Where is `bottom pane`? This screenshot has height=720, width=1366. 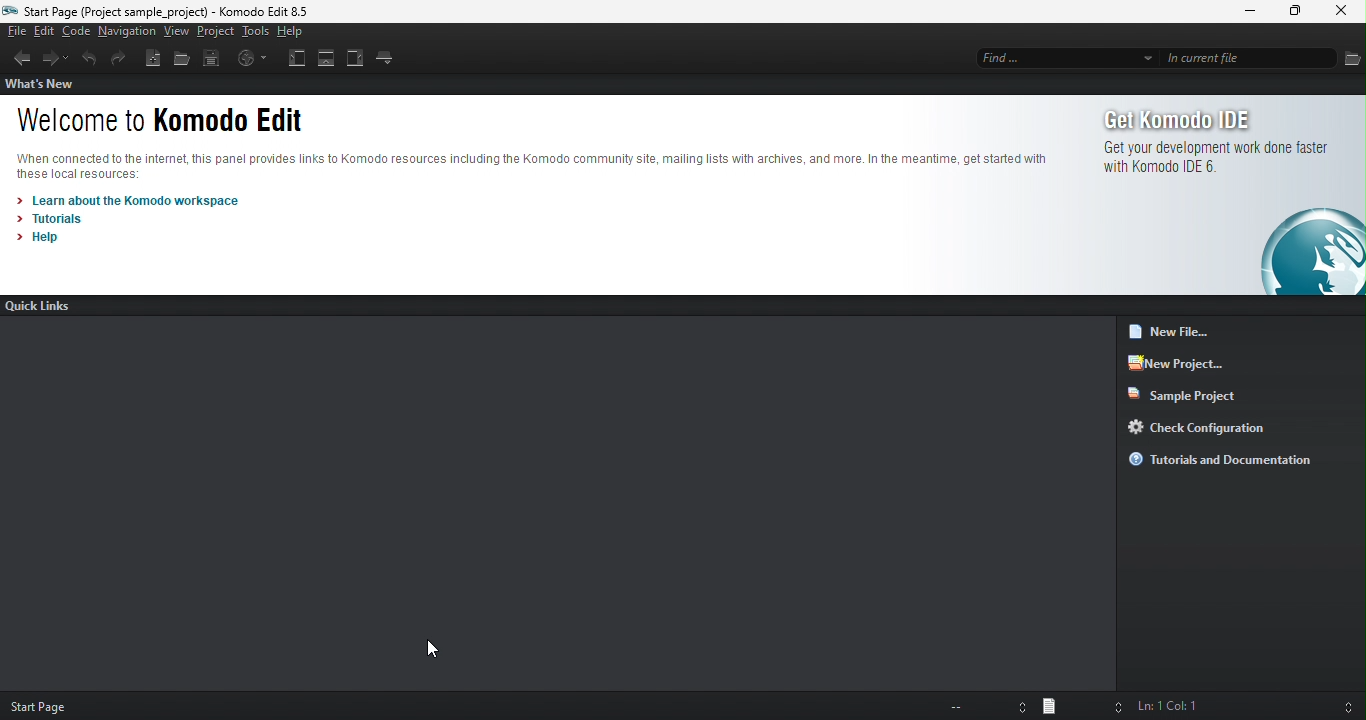
bottom pane is located at coordinates (331, 57).